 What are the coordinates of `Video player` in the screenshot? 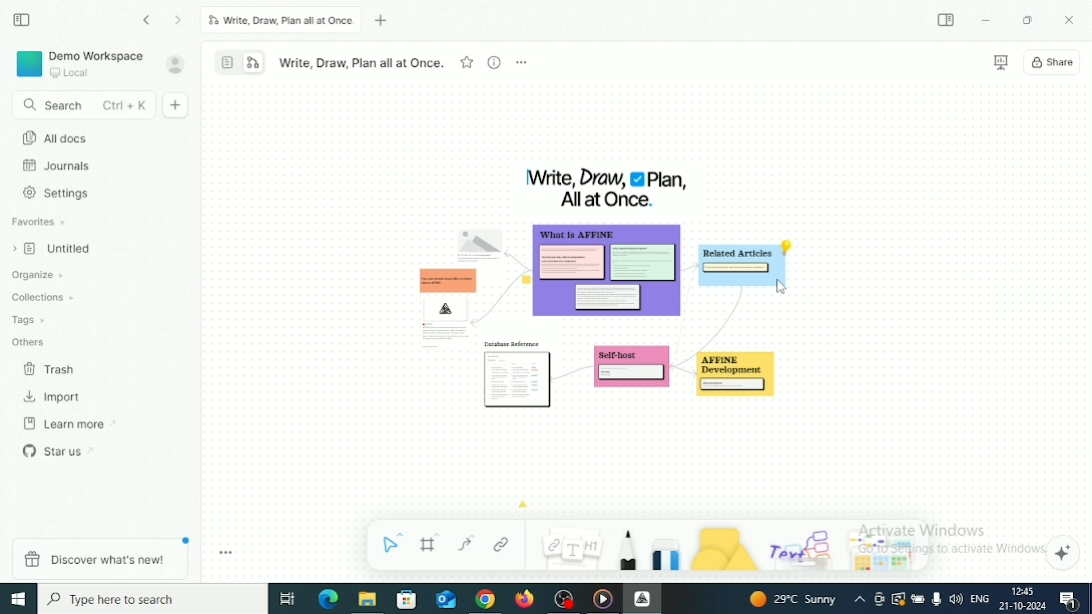 It's located at (603, 599).